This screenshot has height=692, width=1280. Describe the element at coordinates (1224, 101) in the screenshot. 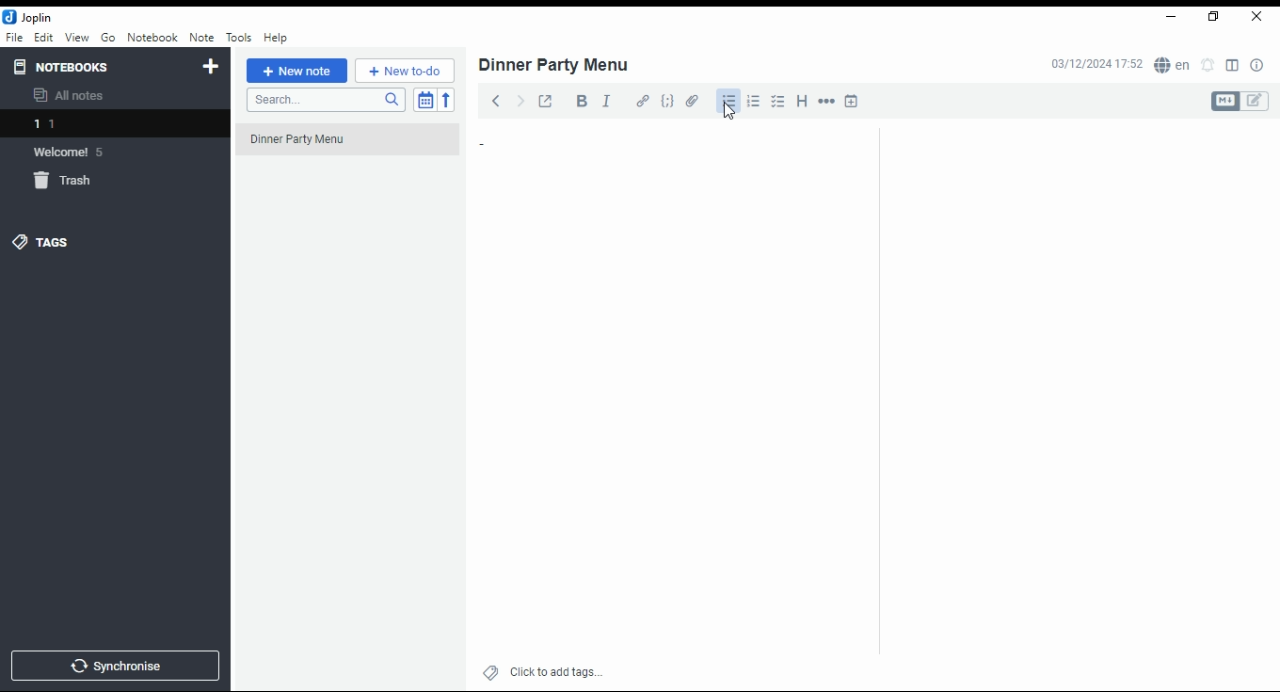

I see `Markdown` at that location.